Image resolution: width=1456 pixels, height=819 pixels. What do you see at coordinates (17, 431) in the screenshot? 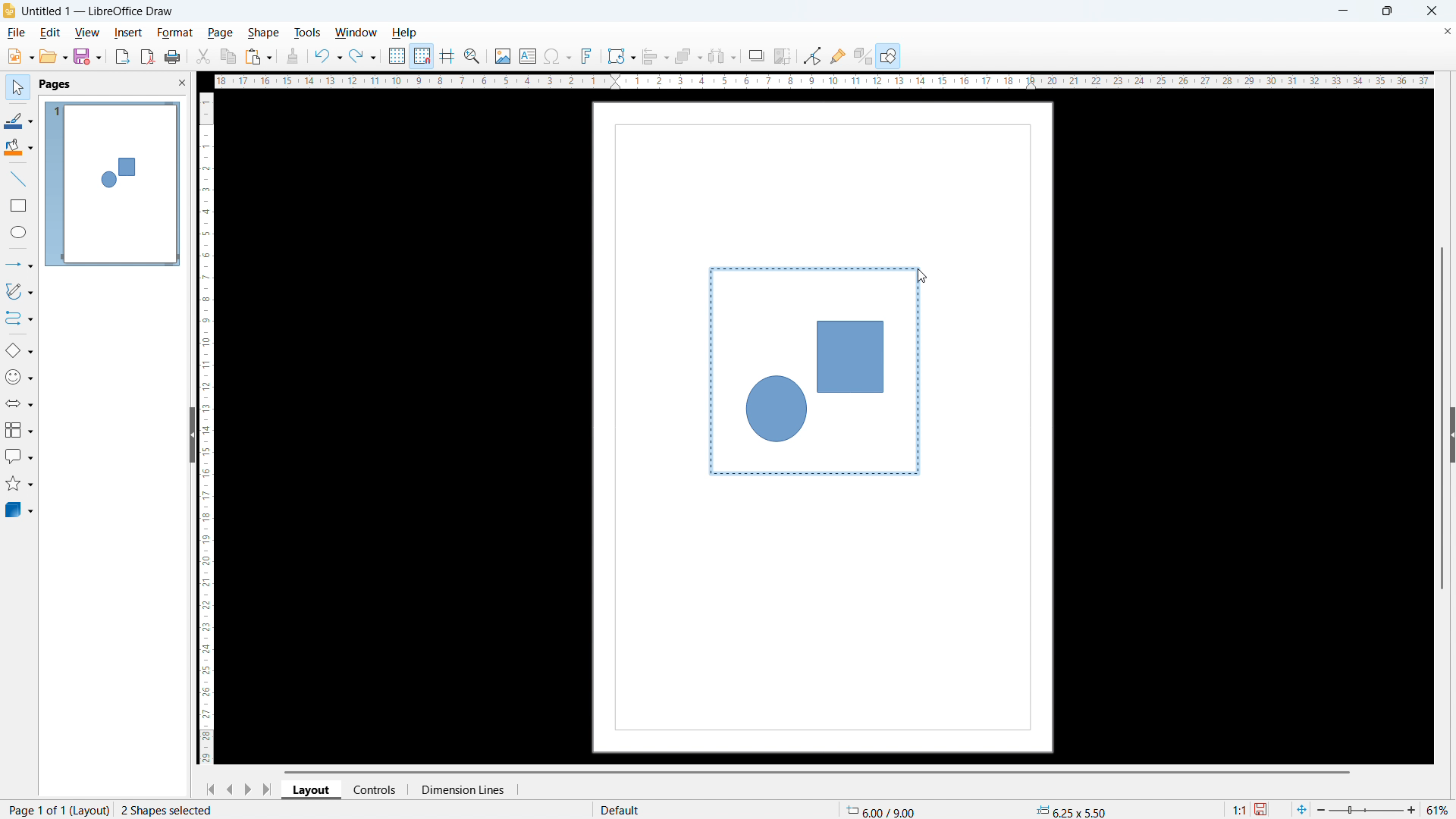
I see `flowchart` at bounding box center [17, 431].